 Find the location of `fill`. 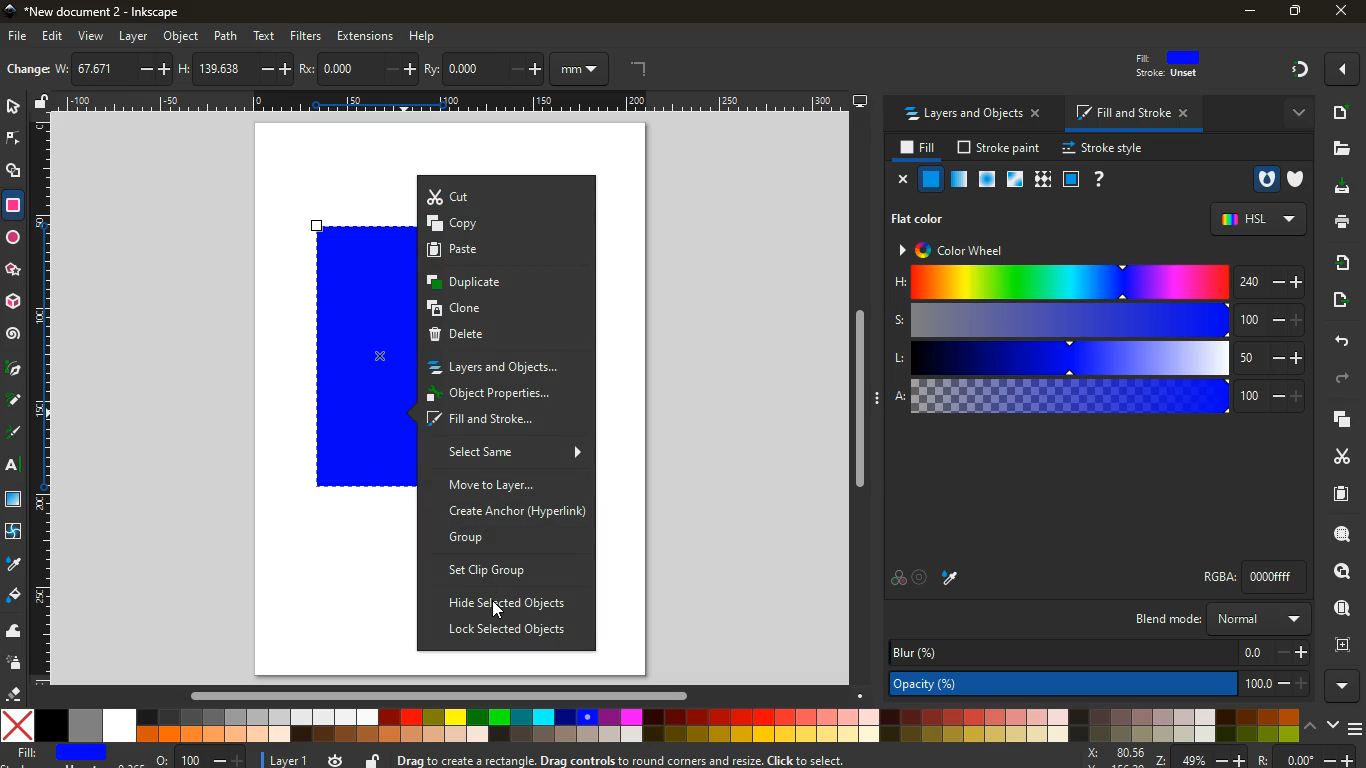

fill is located at coordinates (14, 594).